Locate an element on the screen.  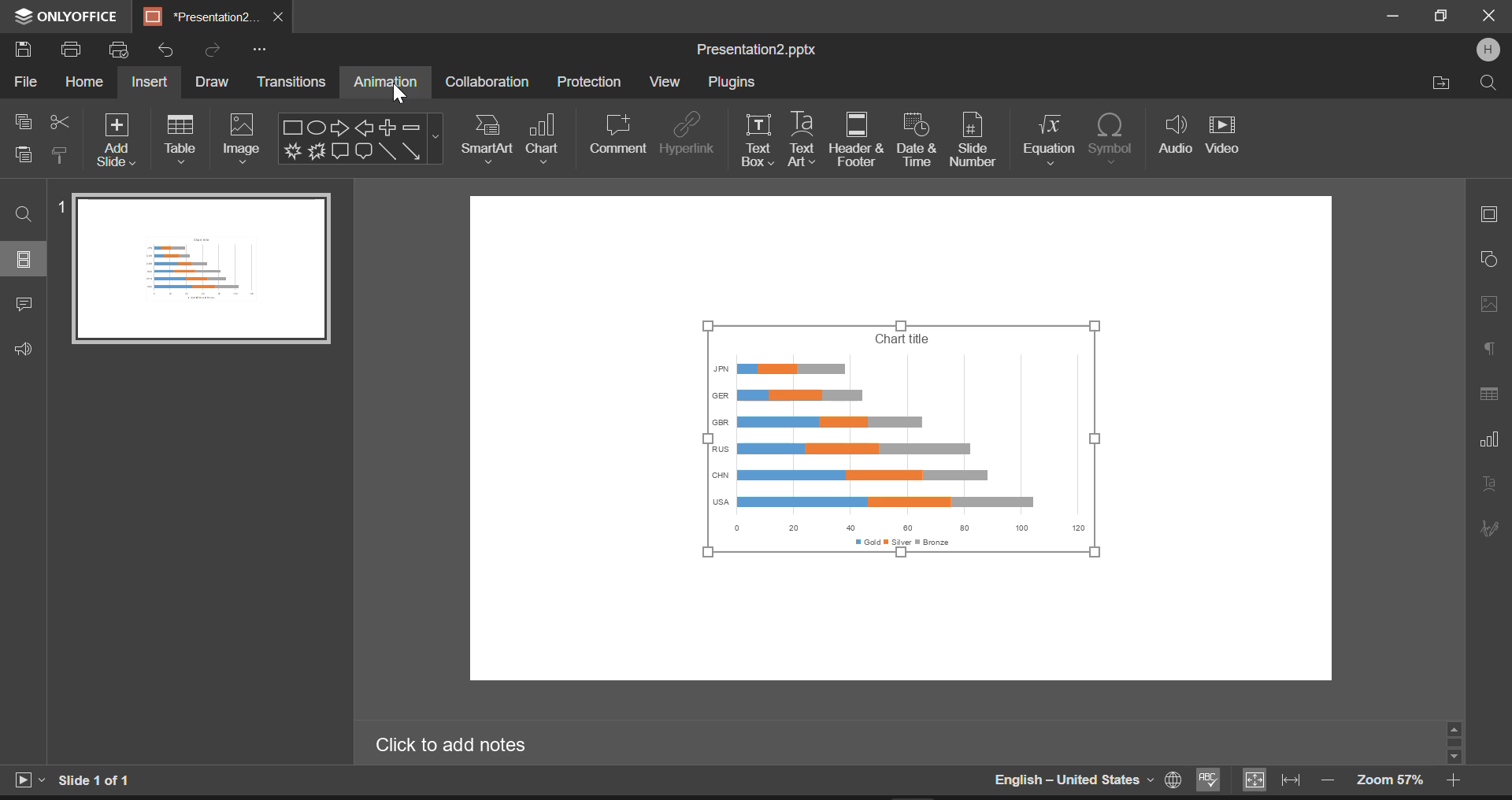
Rectangle is located at coordinates (293, 128).